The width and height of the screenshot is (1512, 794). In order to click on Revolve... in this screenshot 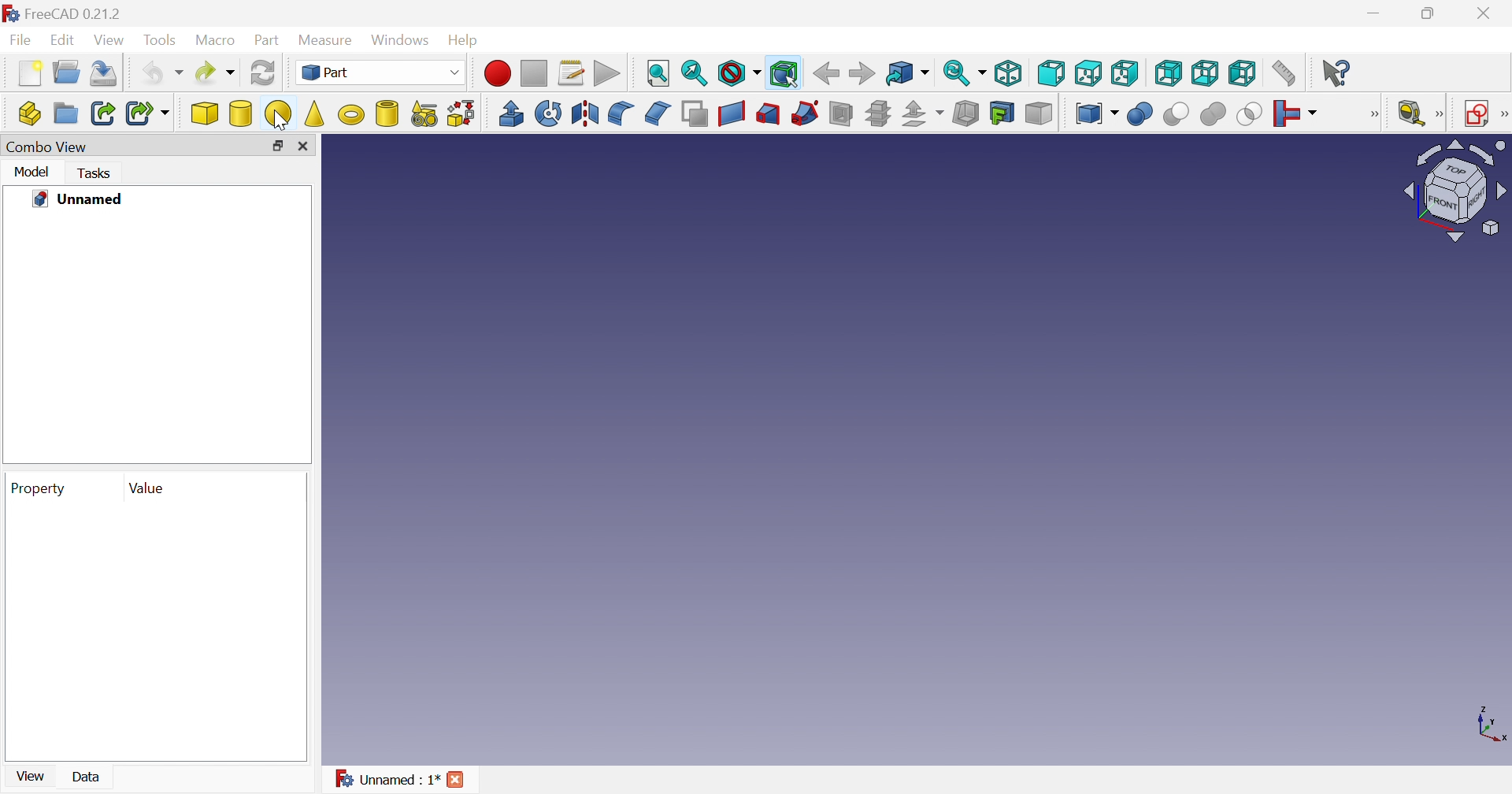, I will do `click(549, 113)`.